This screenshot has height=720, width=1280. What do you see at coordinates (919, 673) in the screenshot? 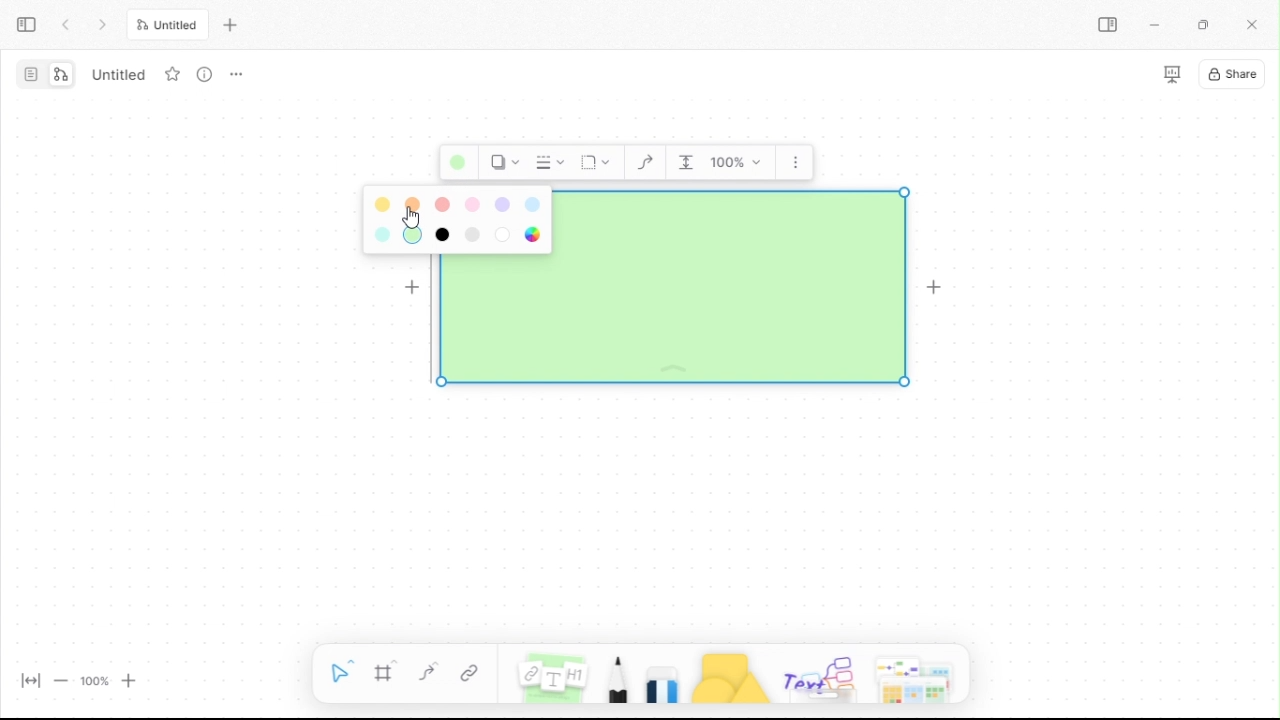
I see `more shapes` at bounding box center [919, 673].